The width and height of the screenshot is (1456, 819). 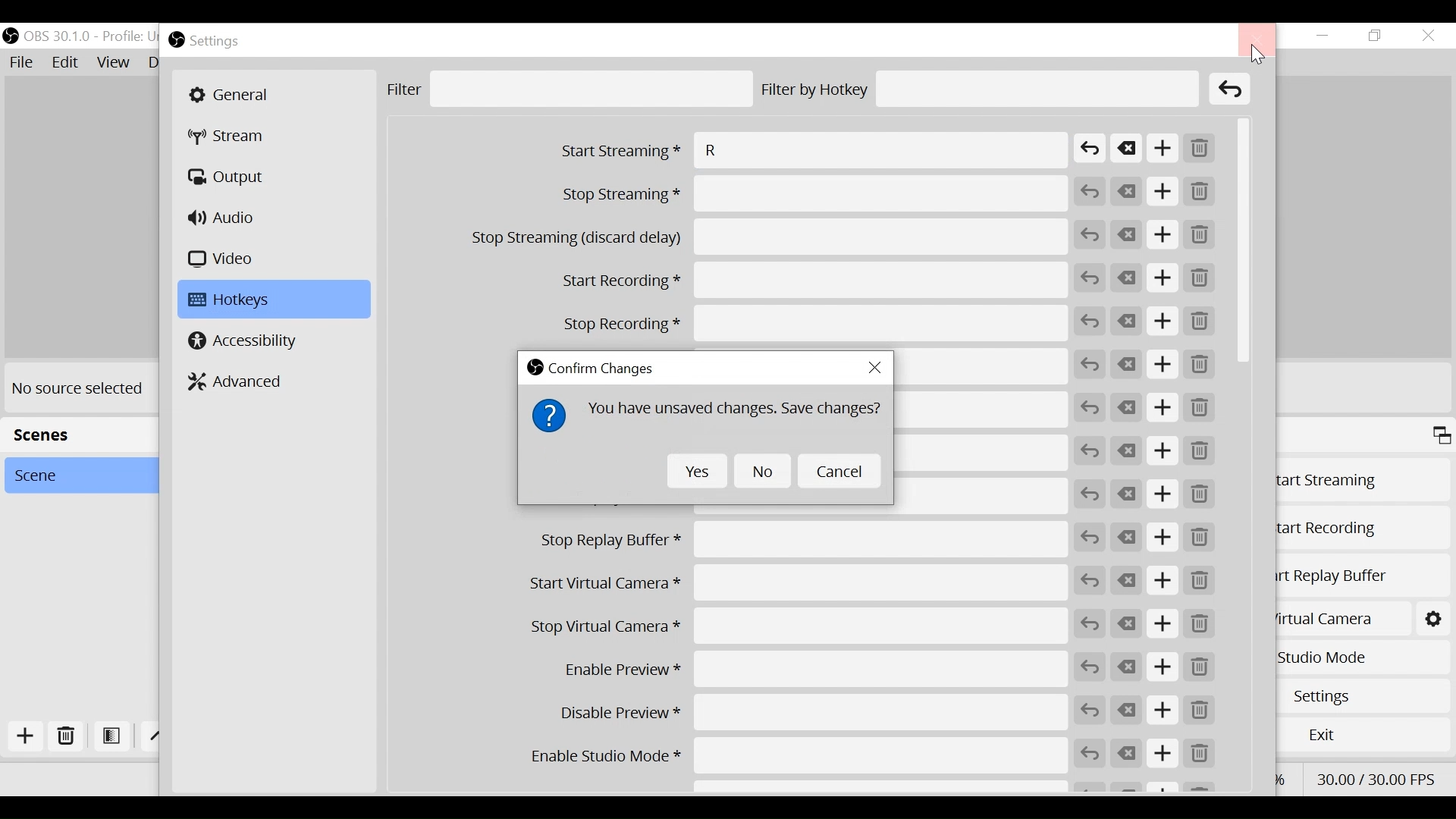 What do you see at coordinates (1090, 406) in the screenshot?
I see `Revert` at bounding box center [1090, 406].